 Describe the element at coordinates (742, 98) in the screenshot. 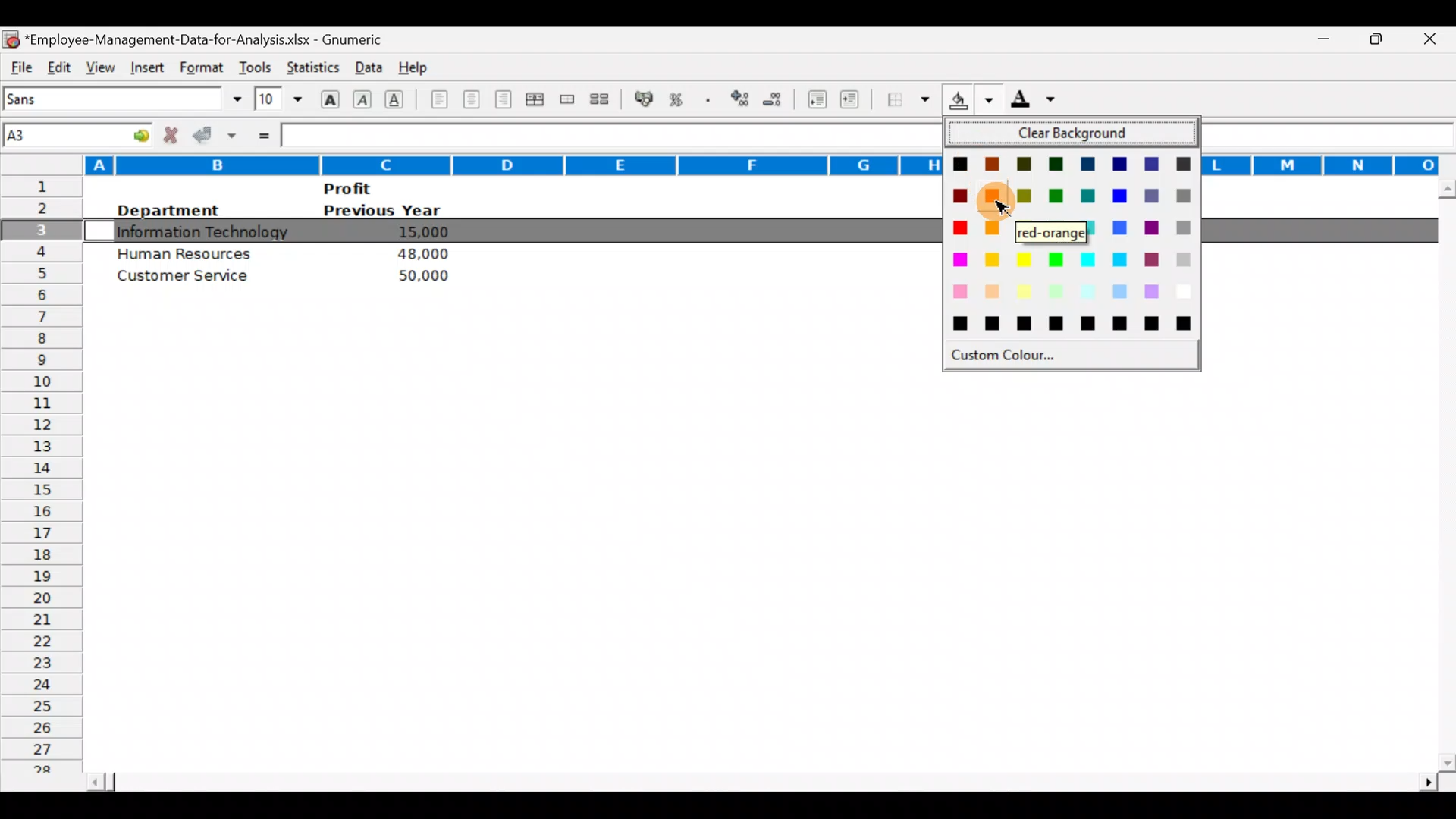

I see `Increase decimals` at that location.